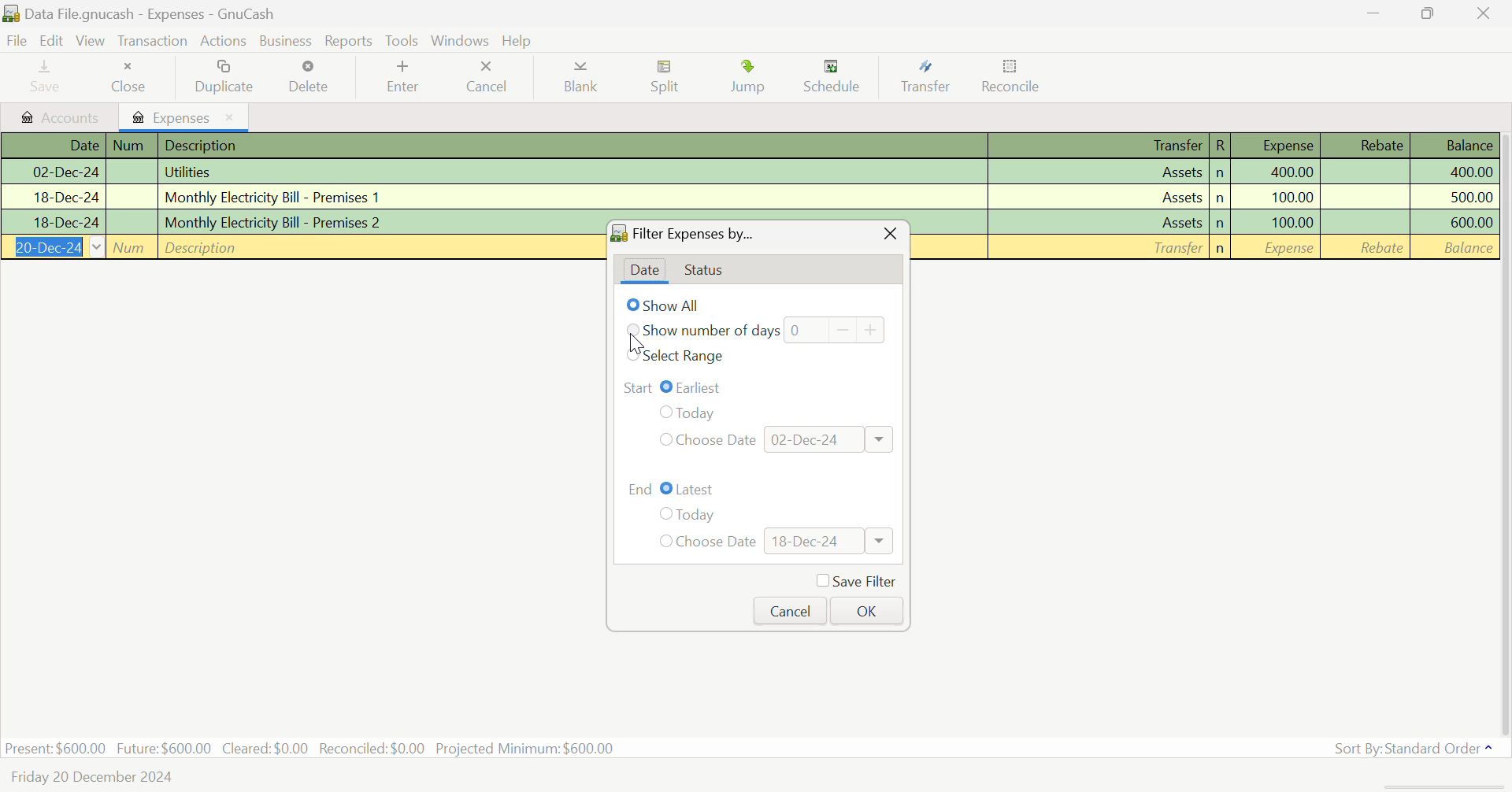 The image size is (1512, 792). Describe the element at coordinates (762, 489) in the screenshot. I see `Range End: Latest` at that location.